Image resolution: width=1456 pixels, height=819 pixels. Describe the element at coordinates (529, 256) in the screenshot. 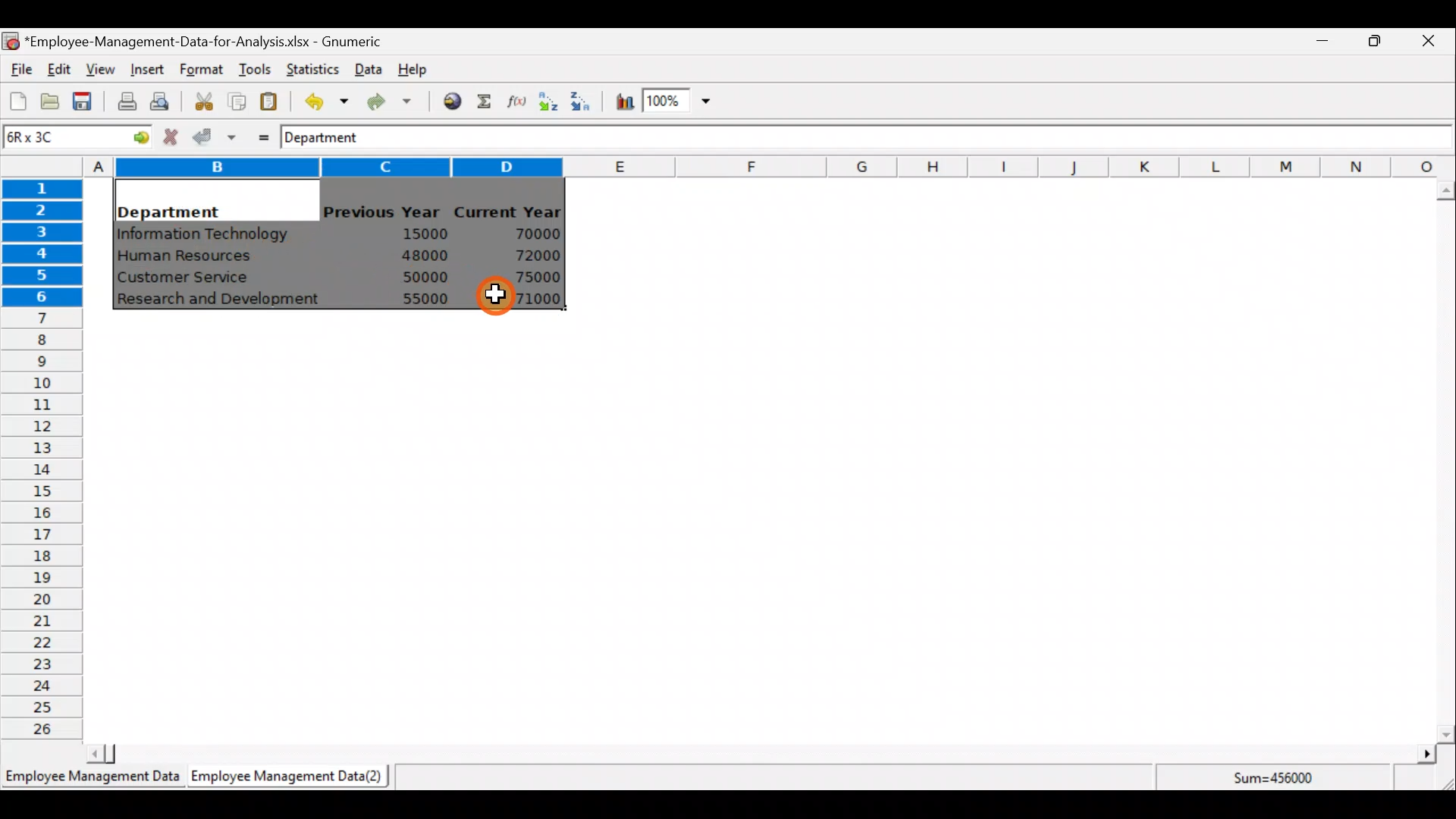

I see `72000` at that location.